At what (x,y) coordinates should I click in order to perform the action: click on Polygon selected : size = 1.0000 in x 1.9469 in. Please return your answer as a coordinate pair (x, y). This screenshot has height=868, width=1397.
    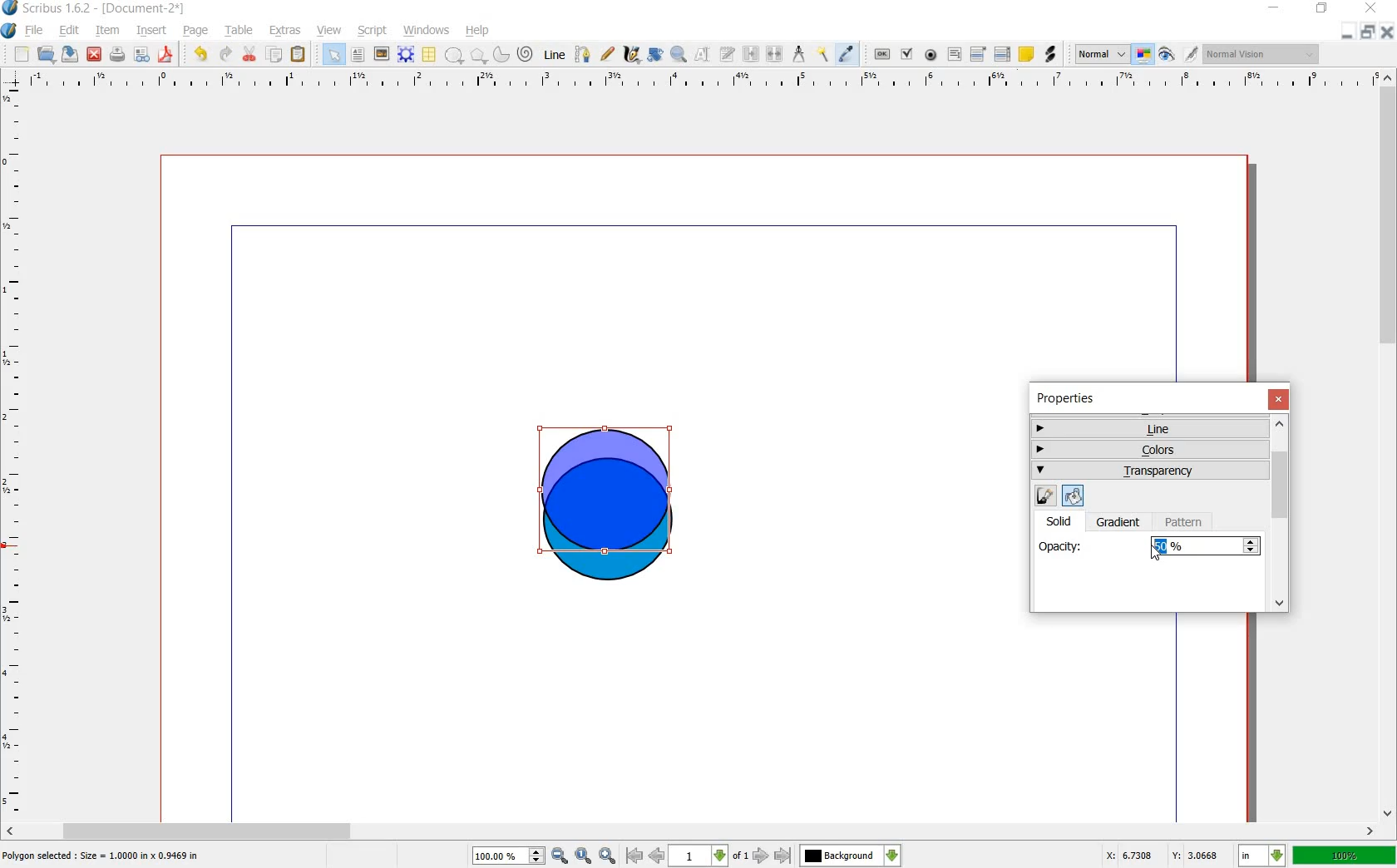
    Looking at the image, I should click on (102, 855).